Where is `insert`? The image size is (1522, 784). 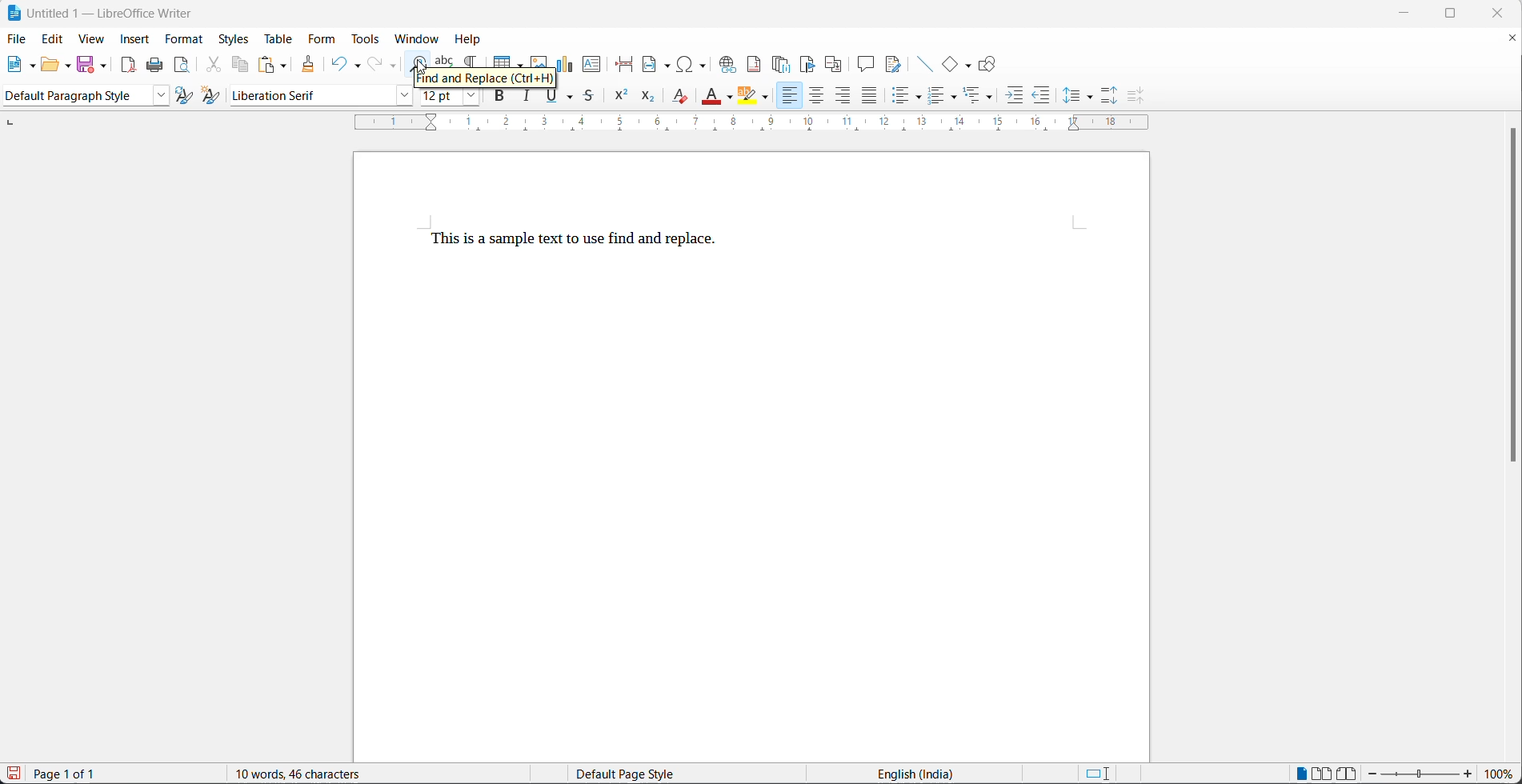
insert is located at coordinates (135, 38).